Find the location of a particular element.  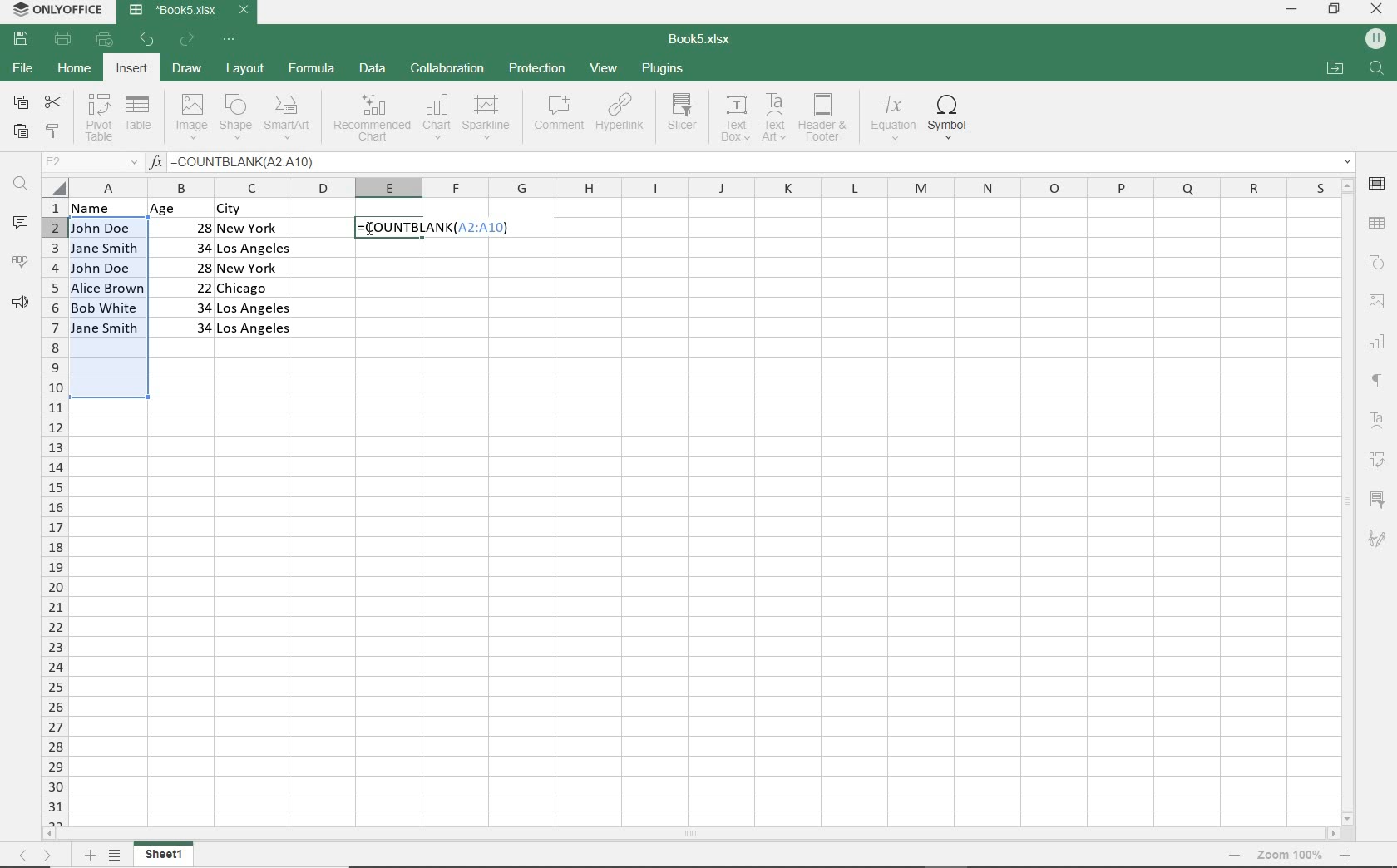

PRINT is located at coordinates (63, 40).